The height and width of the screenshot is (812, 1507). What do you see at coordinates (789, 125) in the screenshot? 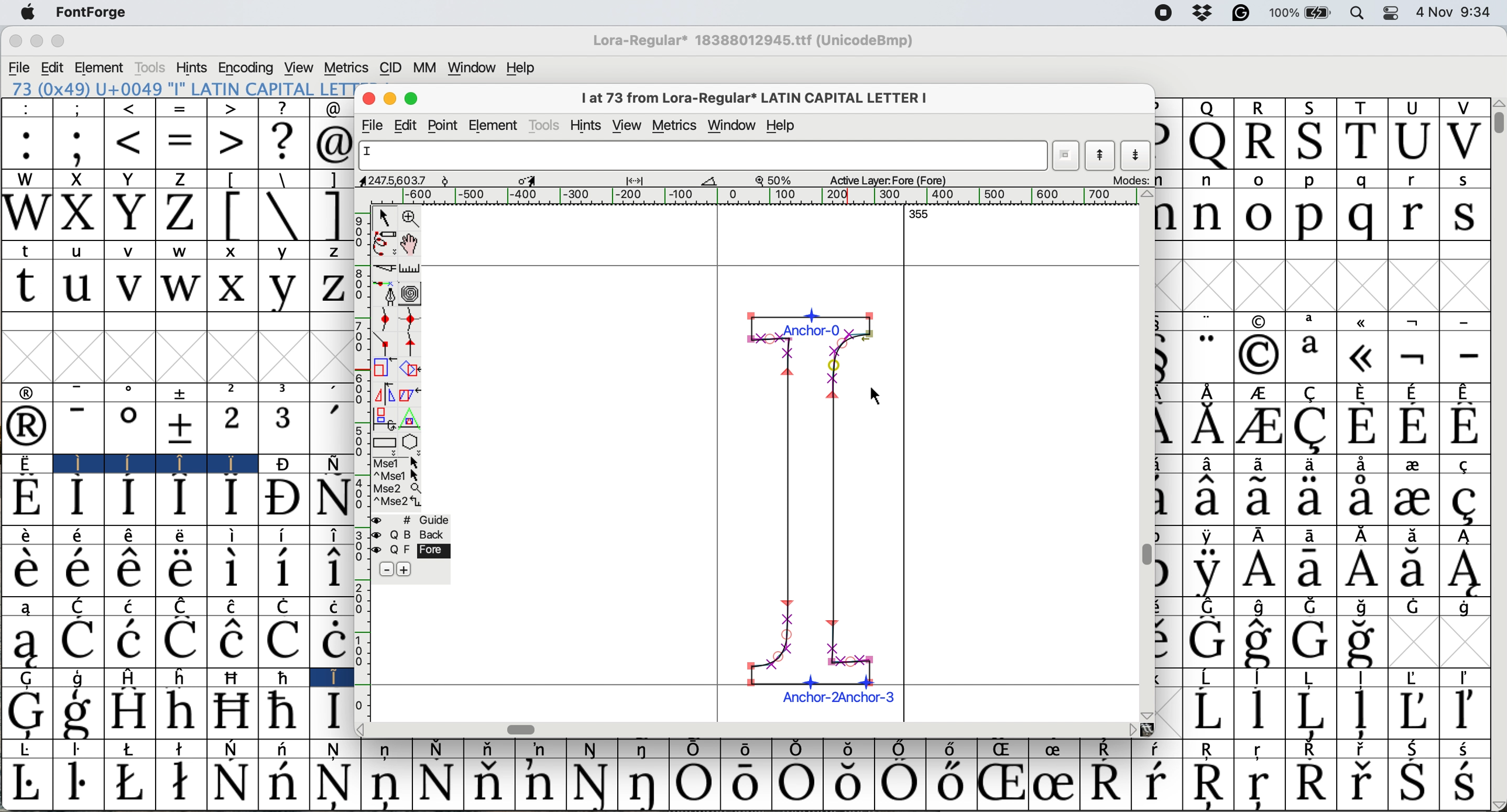
I see `help` at bounding box center [789, 125].